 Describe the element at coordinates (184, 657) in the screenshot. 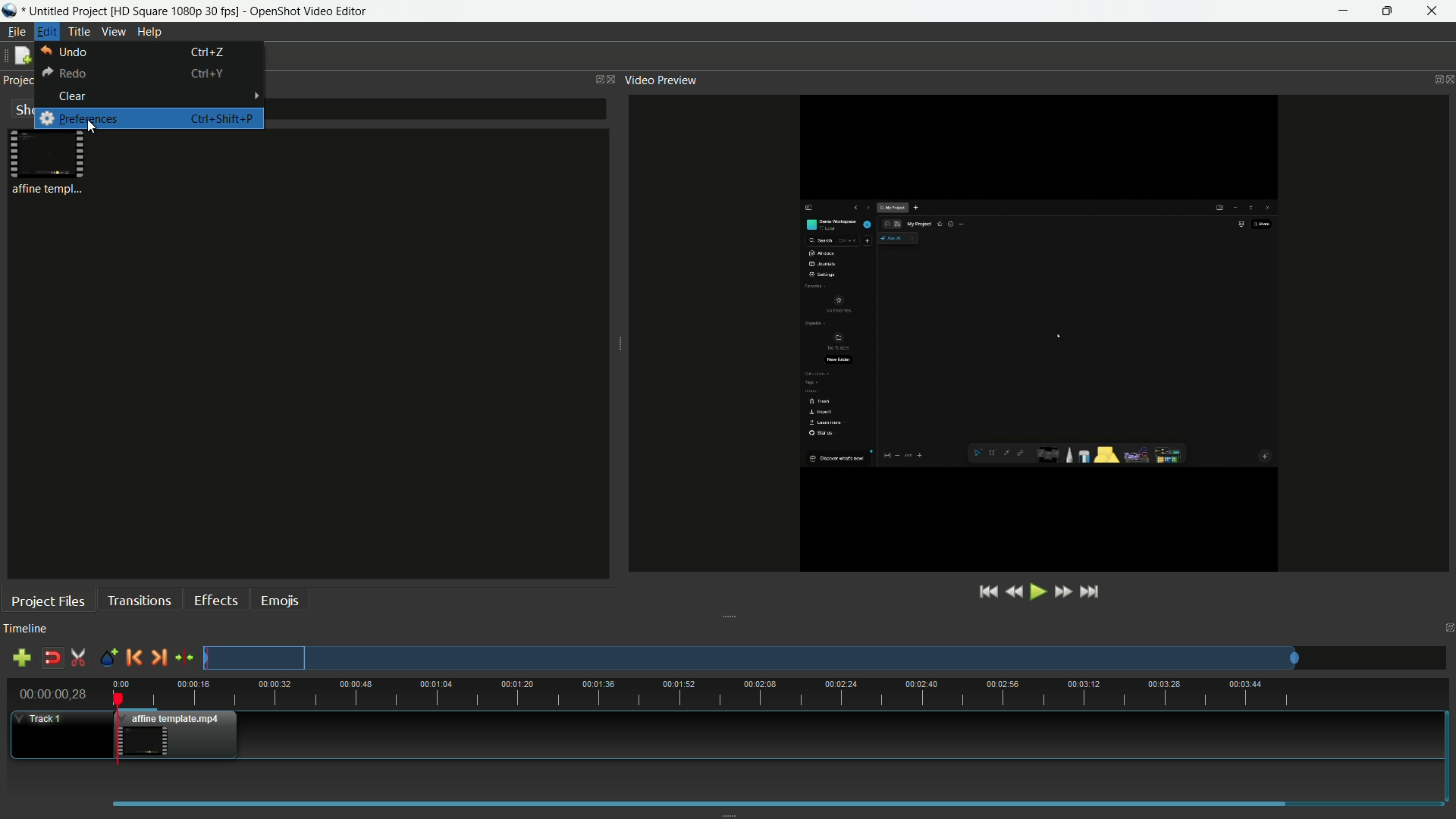

I see `center the timeline on the playhead` at that location.